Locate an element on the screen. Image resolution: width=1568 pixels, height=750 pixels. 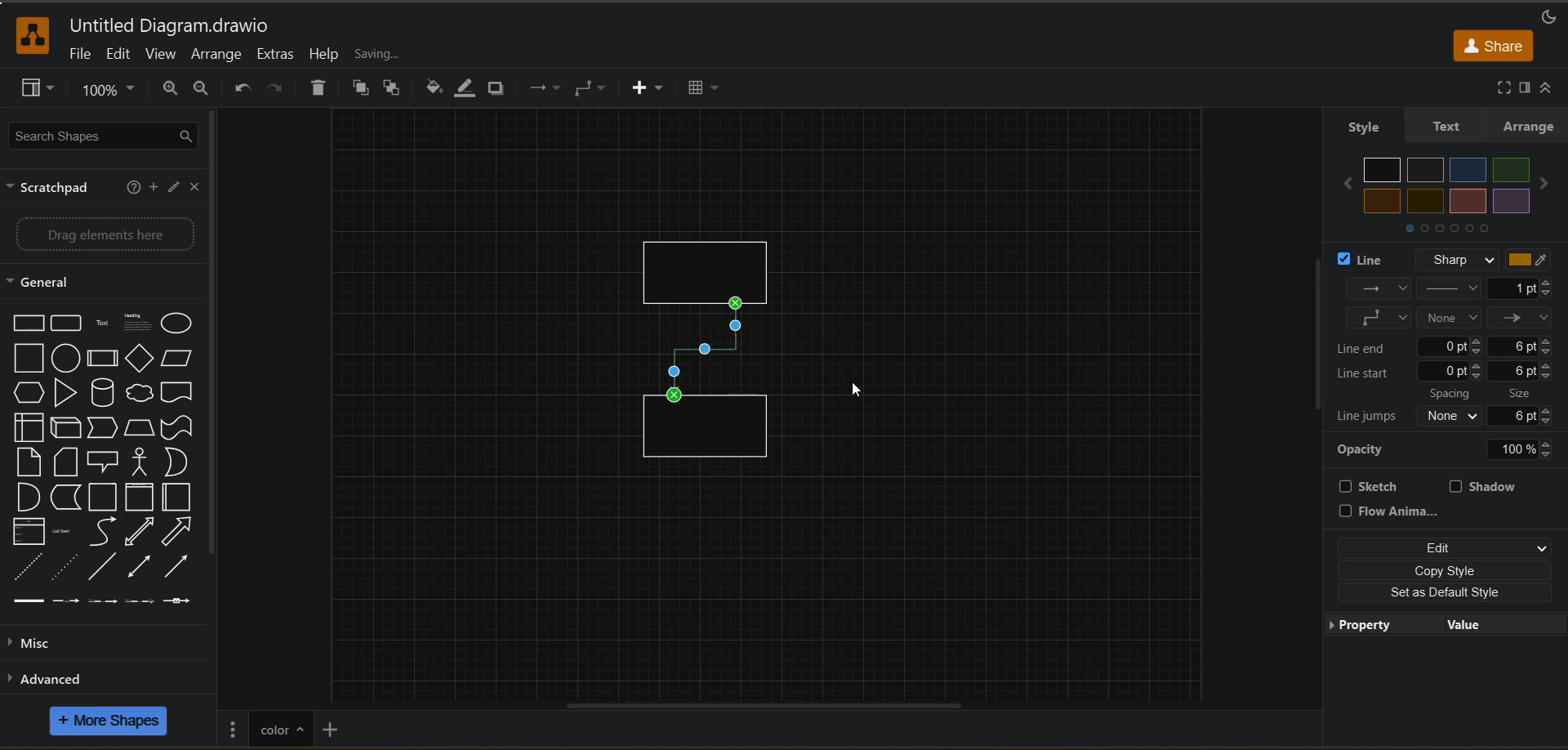
Card is located at coordinates (26, 462).